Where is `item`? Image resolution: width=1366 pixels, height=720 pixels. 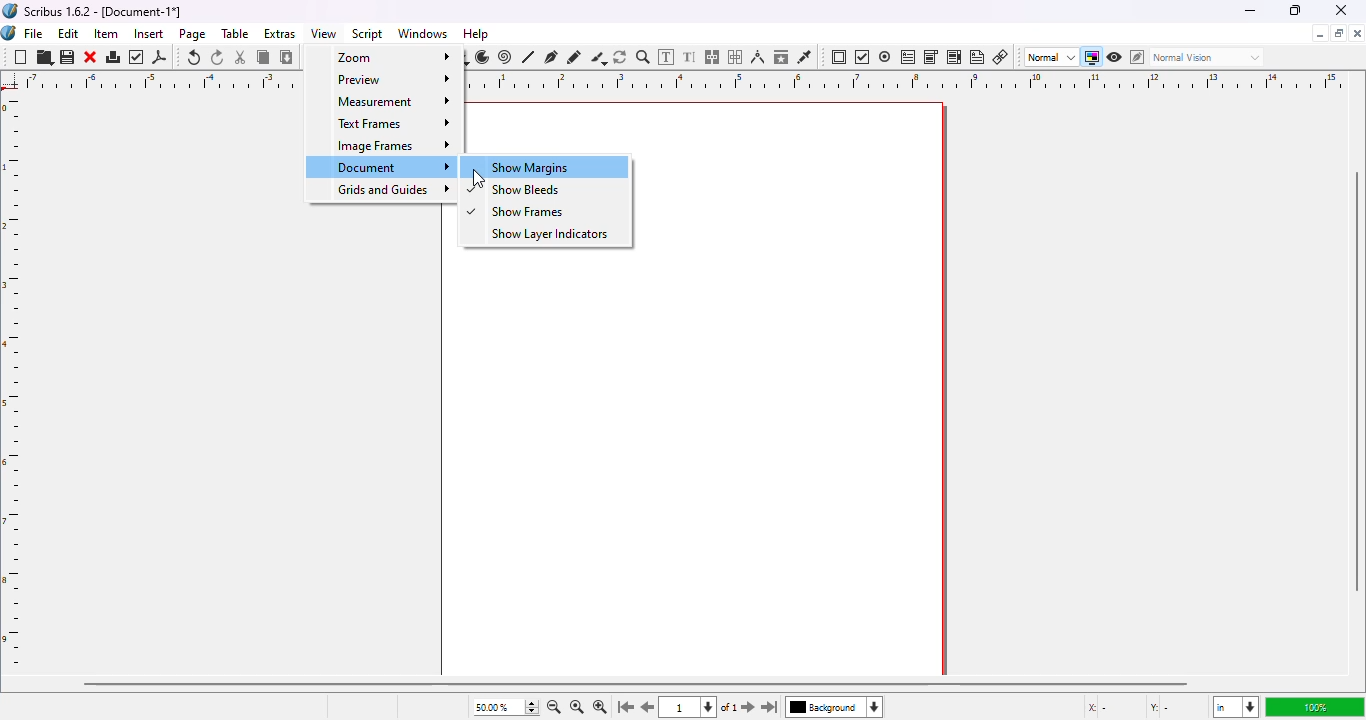 item is located at coordinates (107, 34).